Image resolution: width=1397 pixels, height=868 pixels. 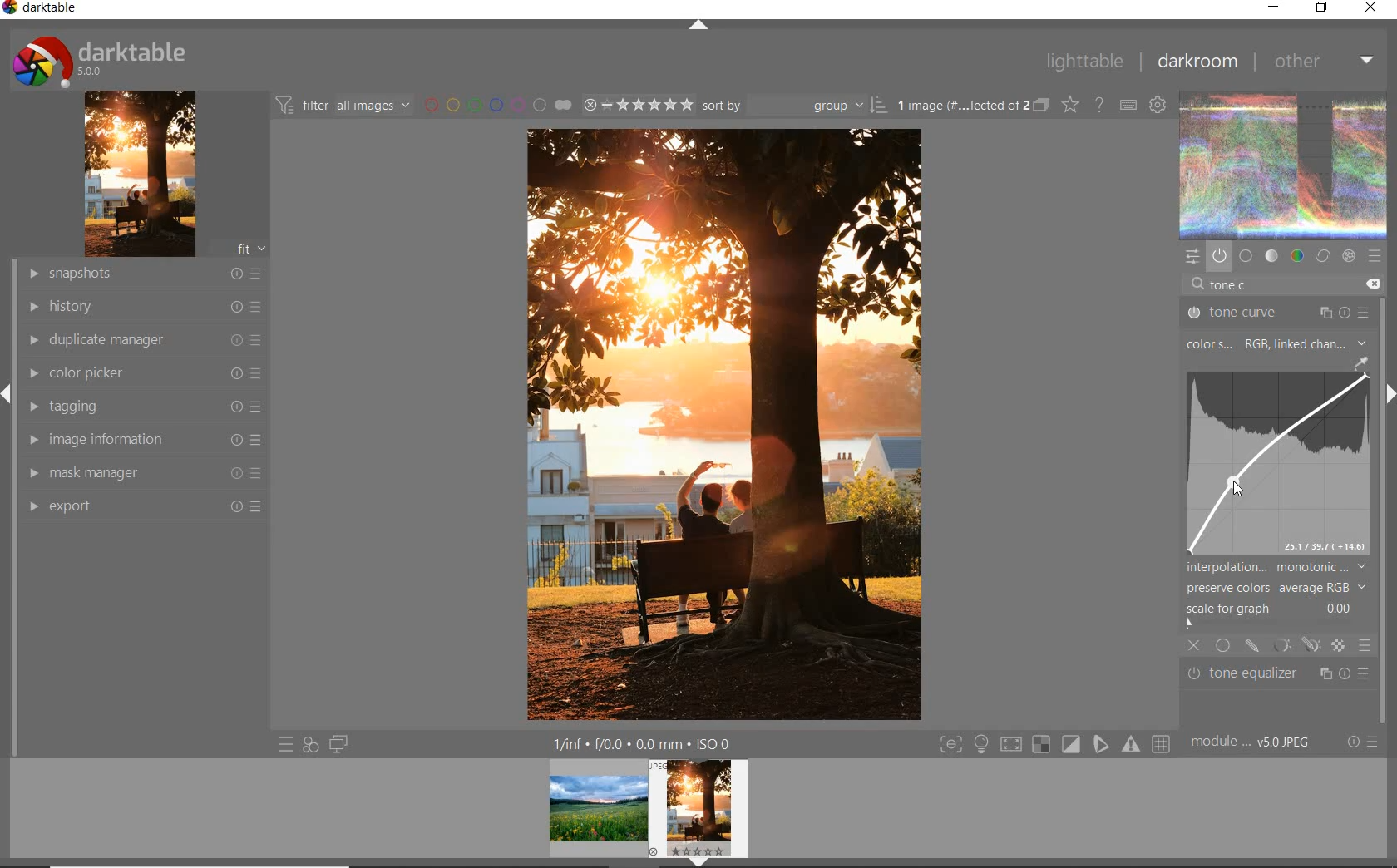 What do you see at coordinates (1253, 742) in the screenshot?
I see `module... v5.0 JPEG` at bounding box center [1253, 742].